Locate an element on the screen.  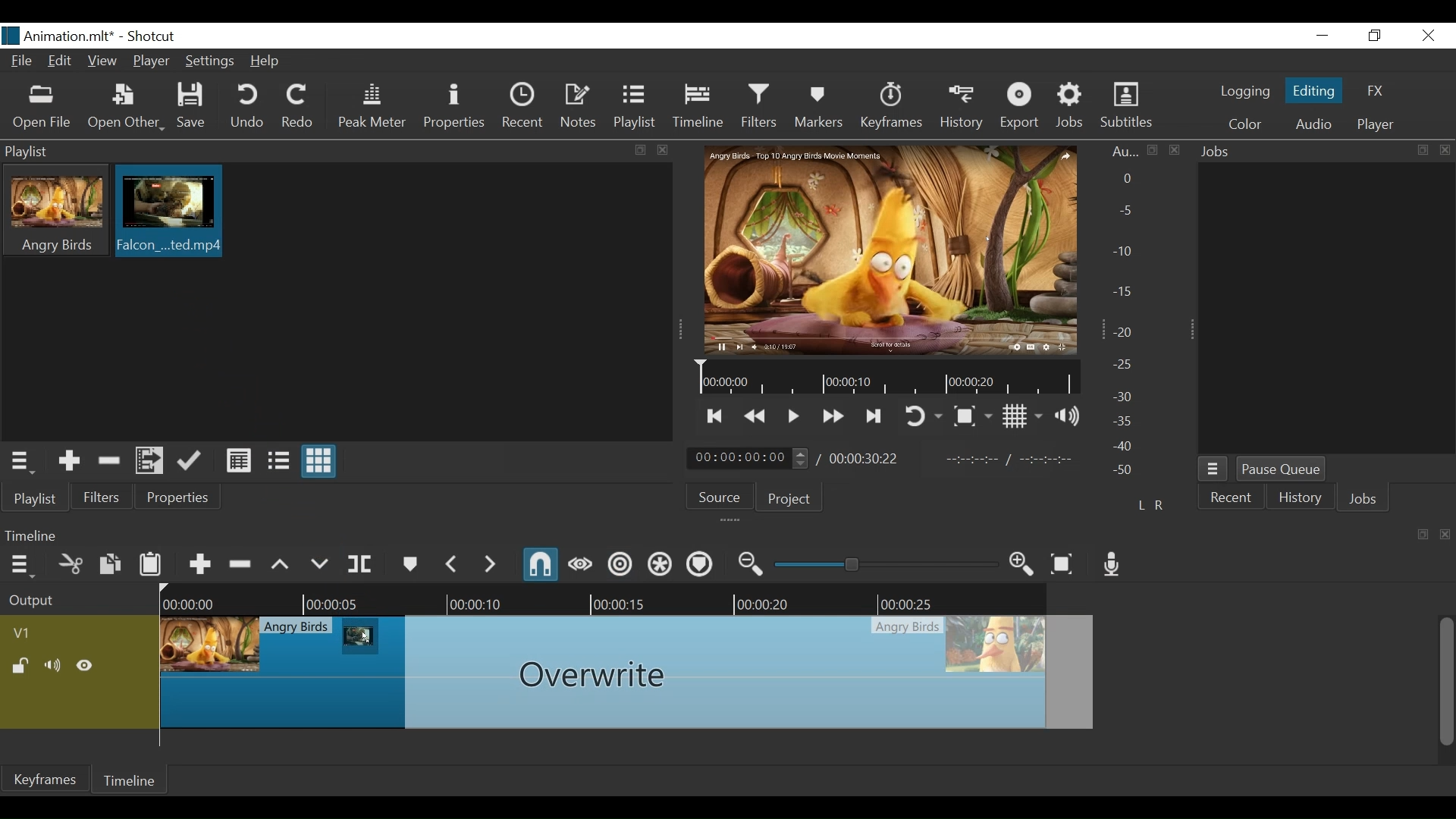
Settings is located at coordinates (209, 60).